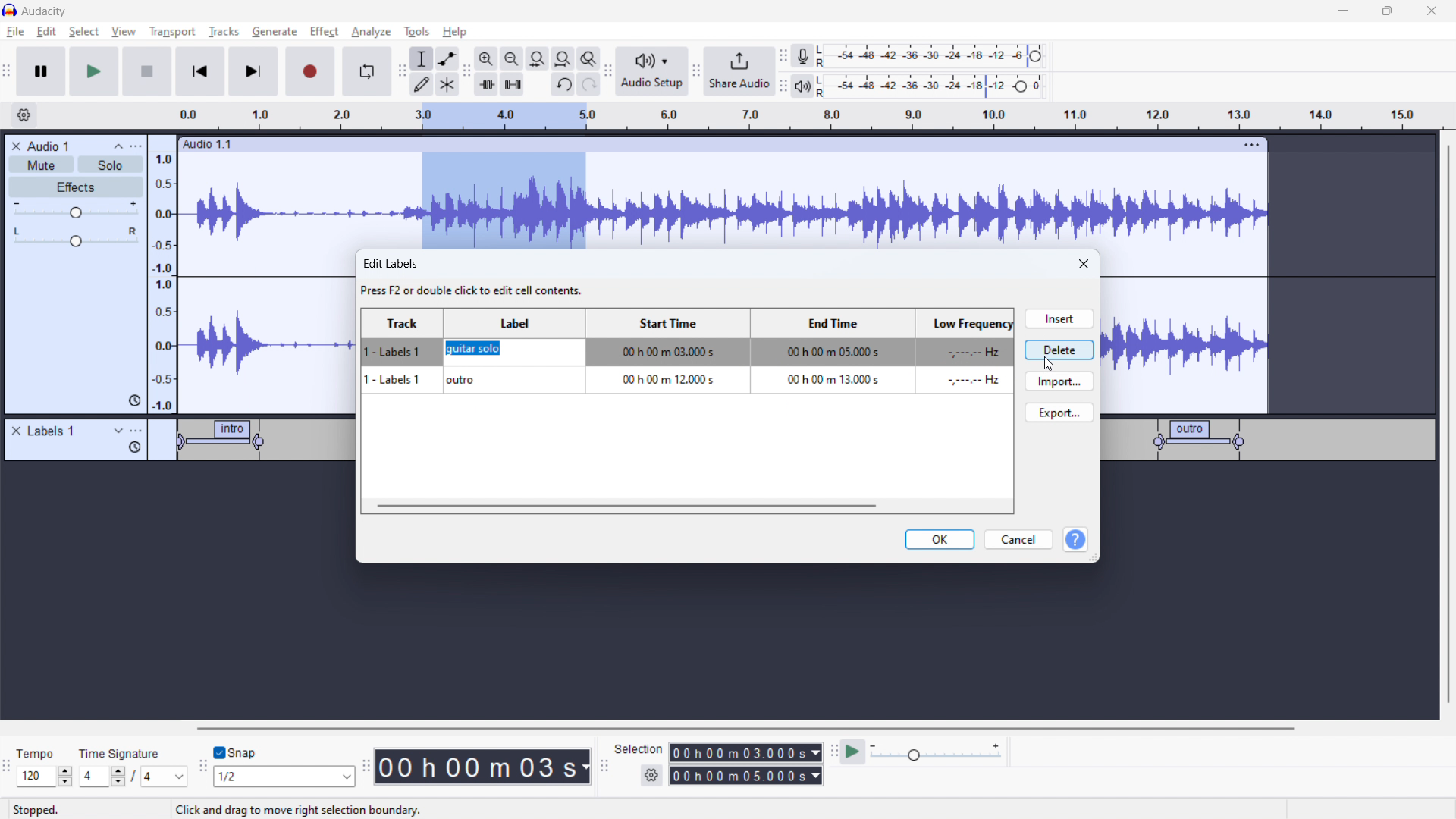  What do you see at coordinates (515, 364) in the screenshot?
I see `label` at bounding box center [515, 364].